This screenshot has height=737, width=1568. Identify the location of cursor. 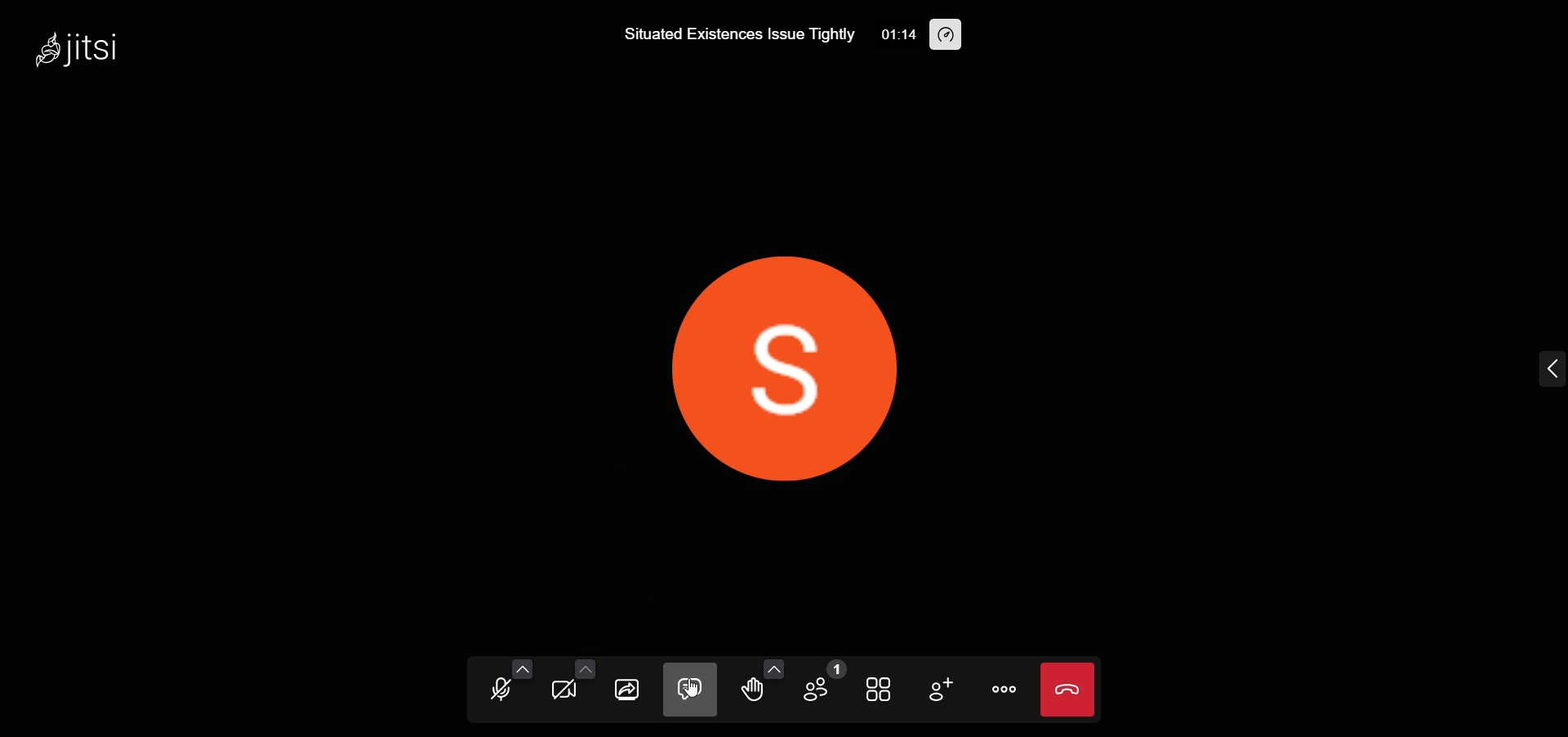
(691, 696).